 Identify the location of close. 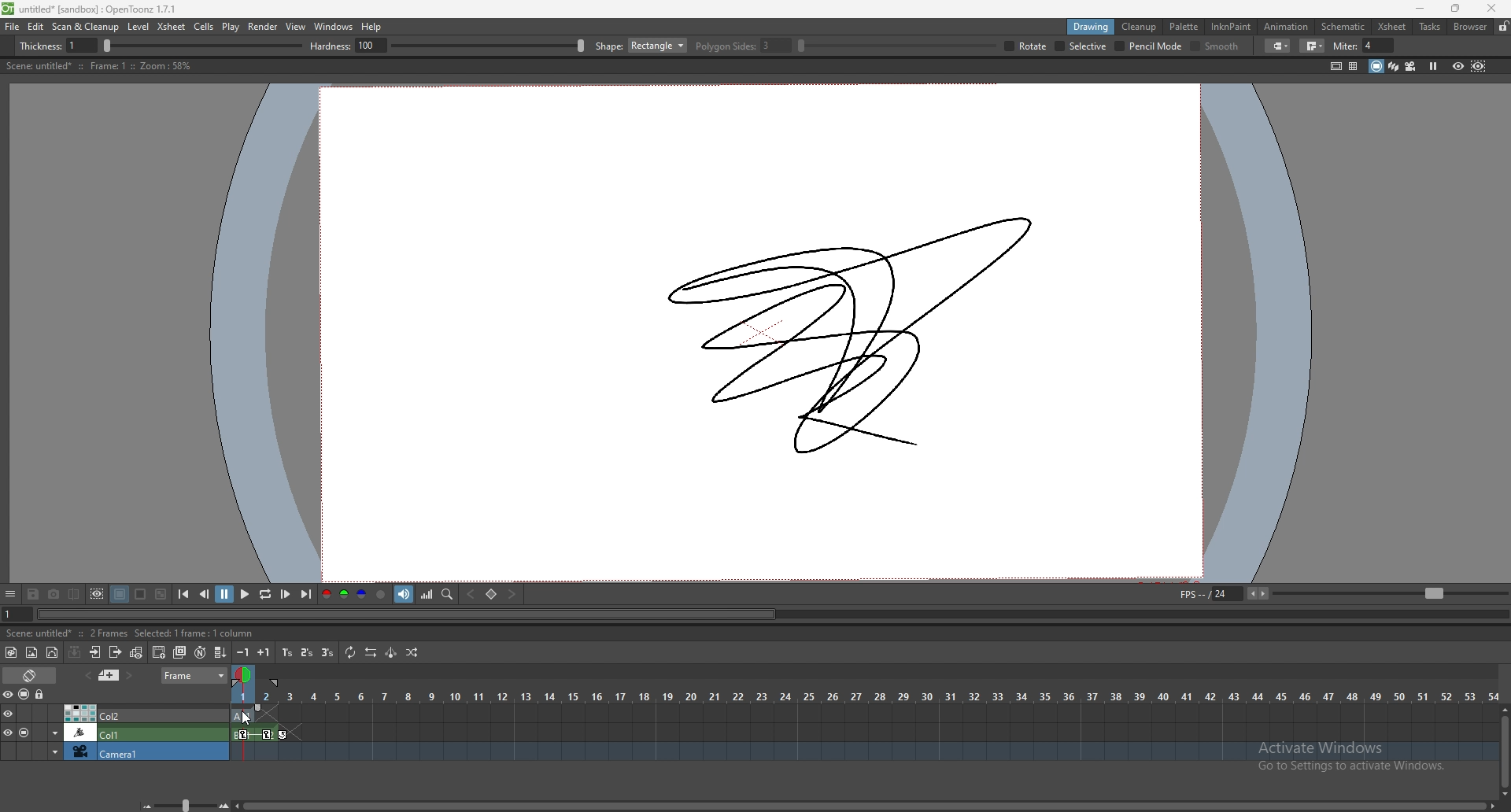
(1489, 8).